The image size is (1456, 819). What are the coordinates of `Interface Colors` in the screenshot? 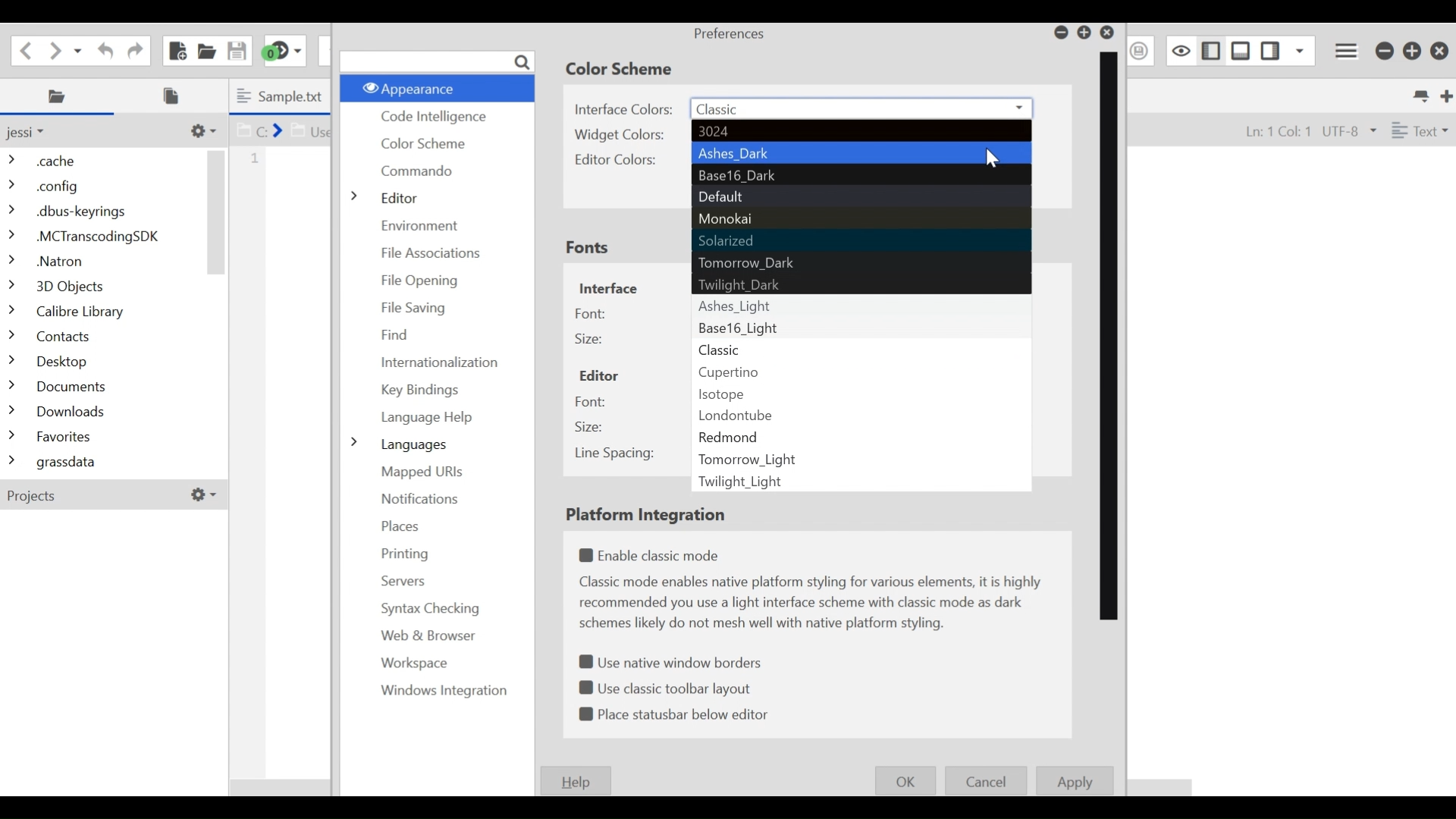 It's located at (625, 108).